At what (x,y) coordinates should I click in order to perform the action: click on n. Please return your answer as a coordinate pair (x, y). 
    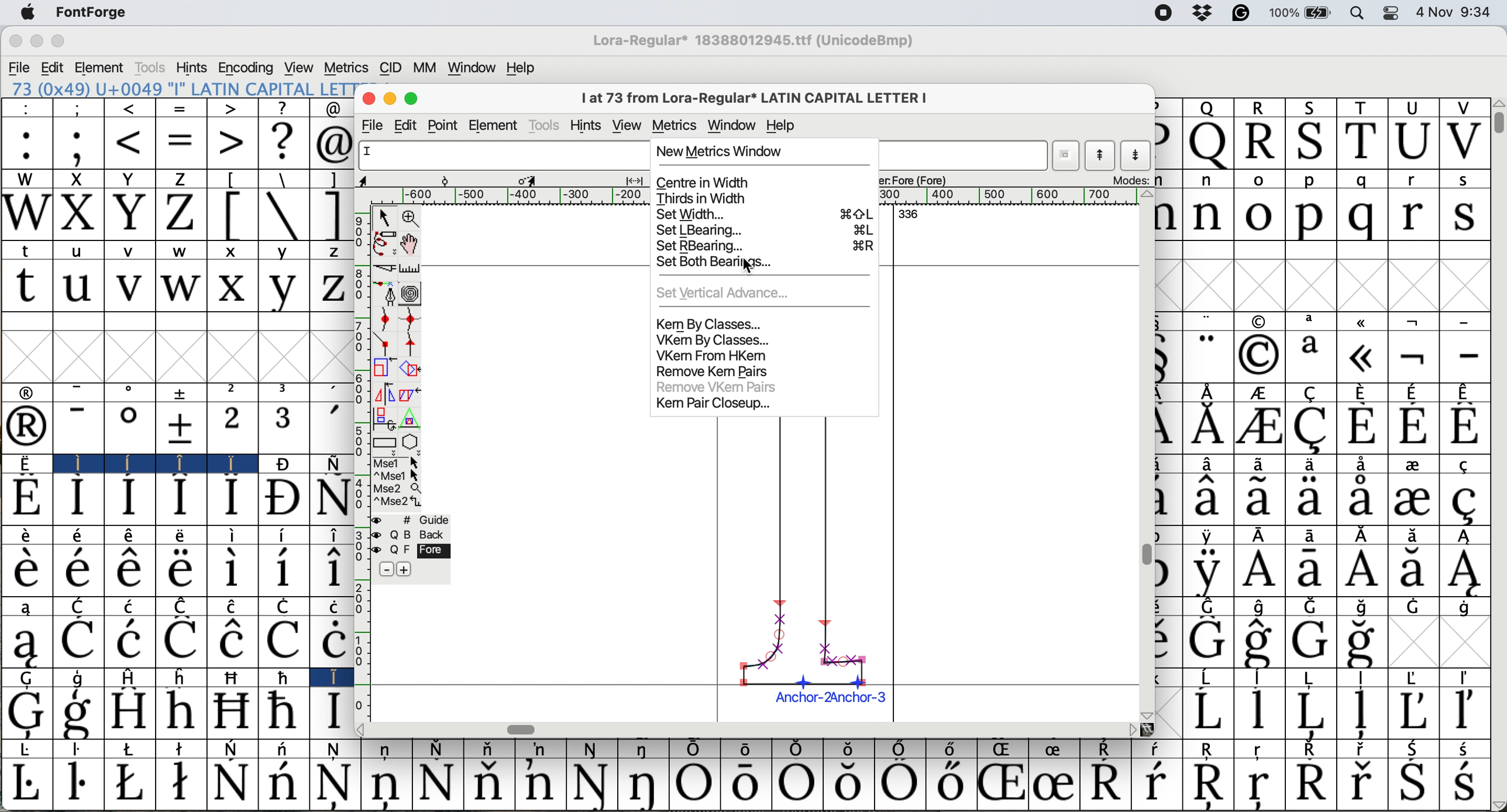
    Looking at the image, I should click on (1210, 216).